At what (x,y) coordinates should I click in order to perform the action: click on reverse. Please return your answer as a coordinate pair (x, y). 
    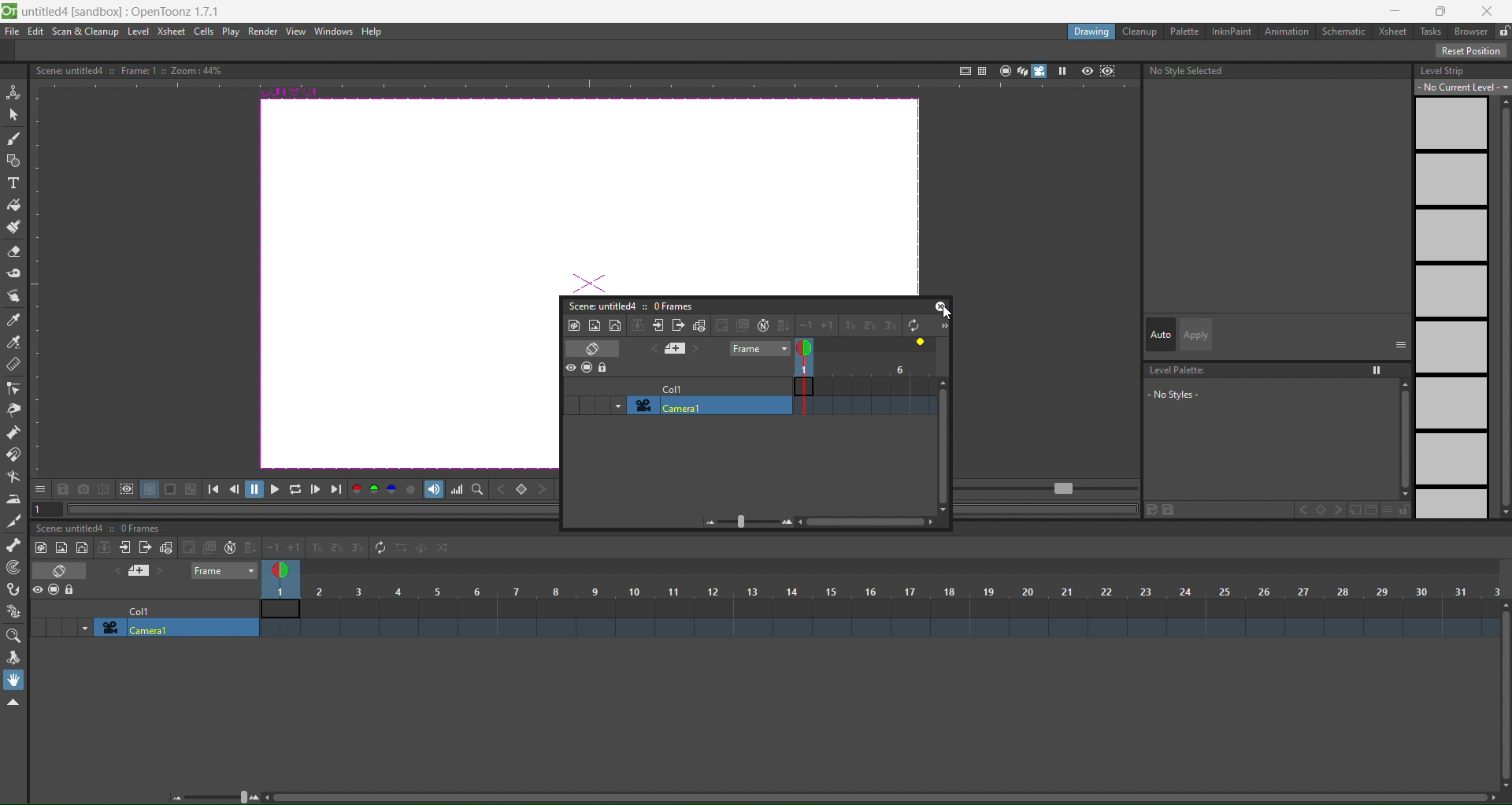
    Looking at the image, I should click on (400, 549).